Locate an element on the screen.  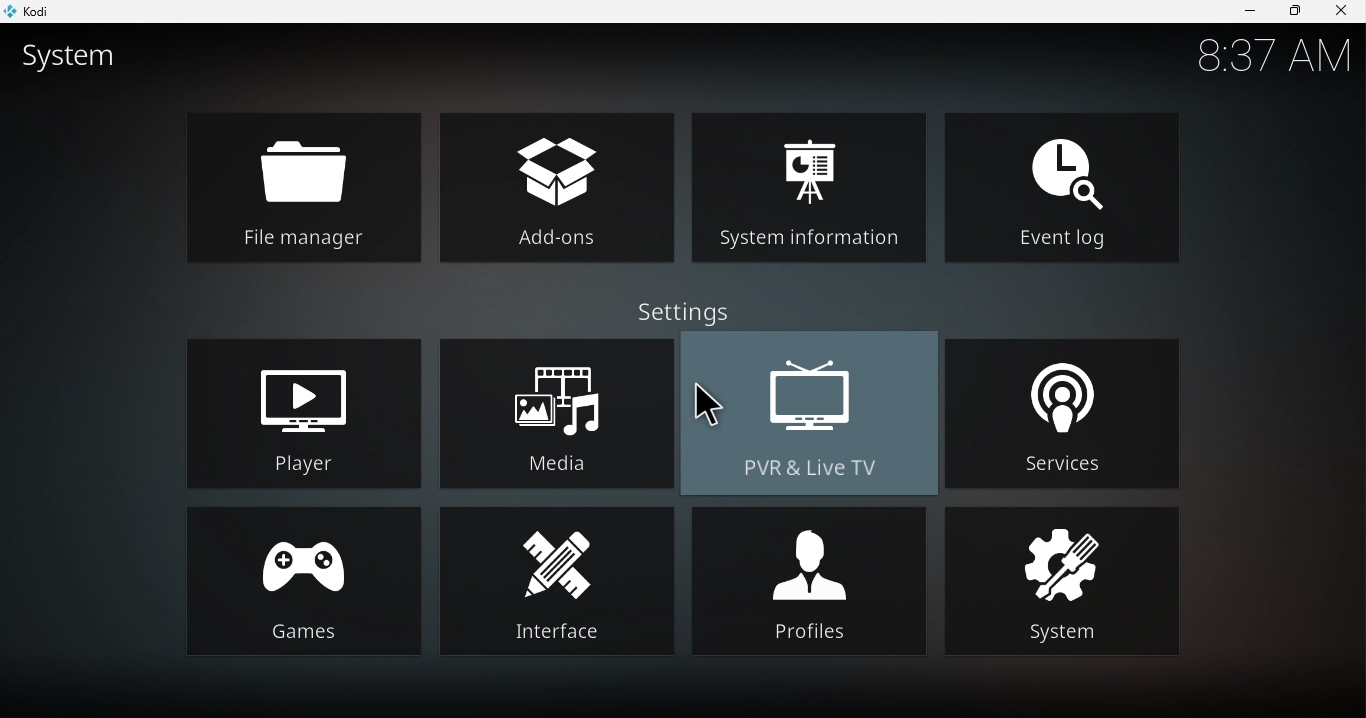
Settings is located at coordinates (676, 314).